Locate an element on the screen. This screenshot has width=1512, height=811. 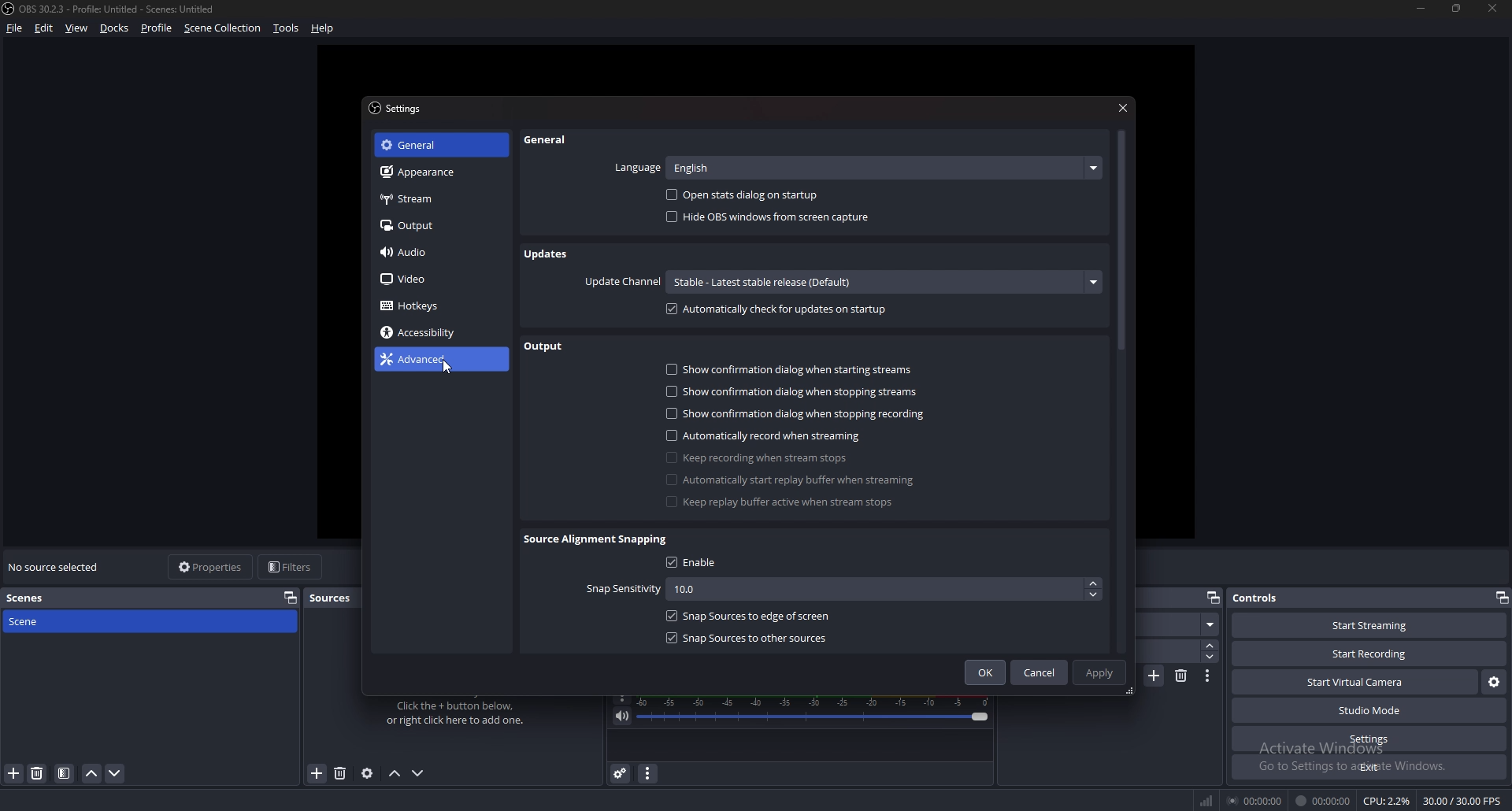
pop out is located at coordinates (1502, 597).